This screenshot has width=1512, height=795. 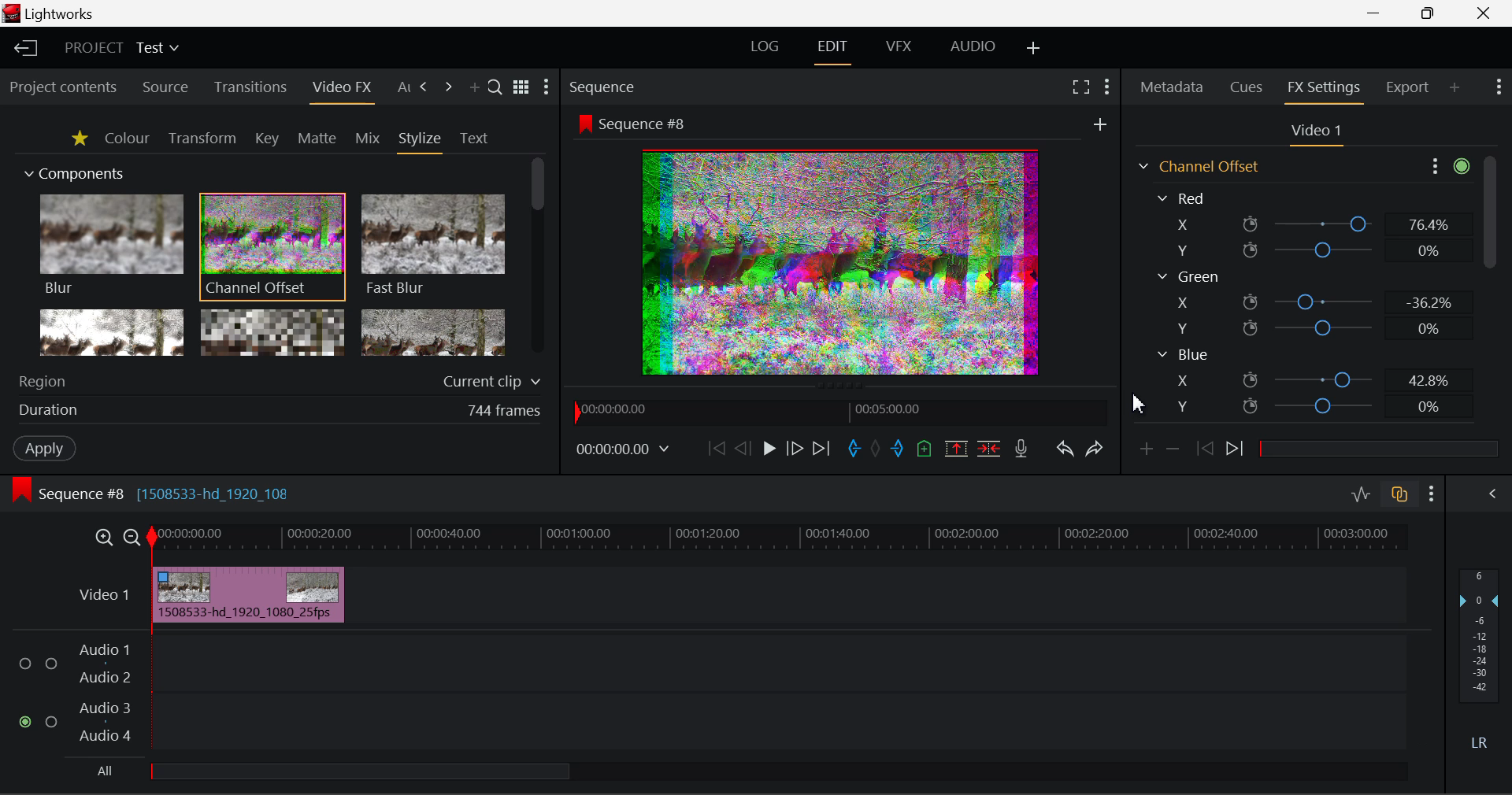 I want to click on Remove keyframe, so click(x=1173, y=453).